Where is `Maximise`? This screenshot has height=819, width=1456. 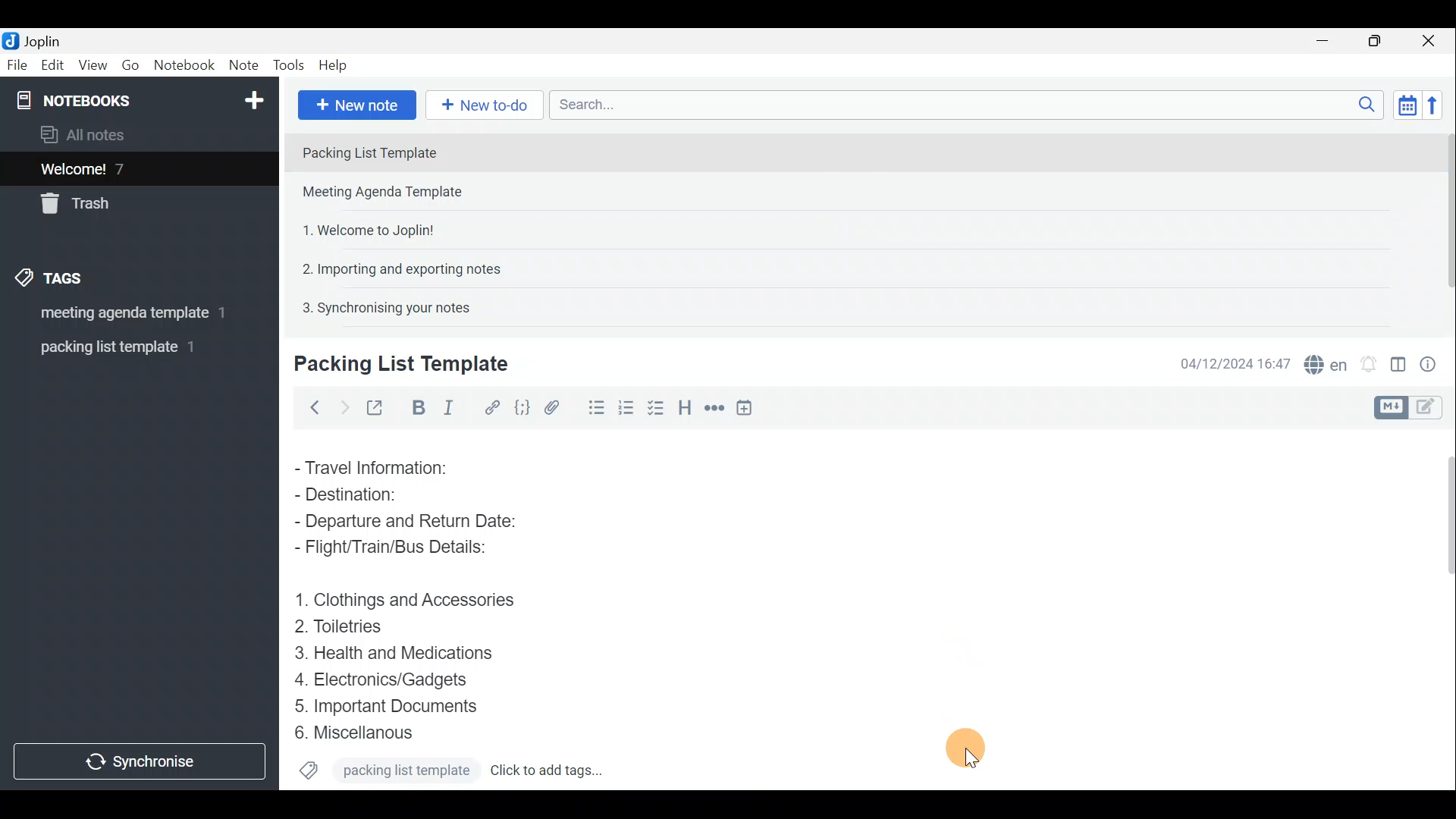 Maximise is located at coordinates (1380, 41).